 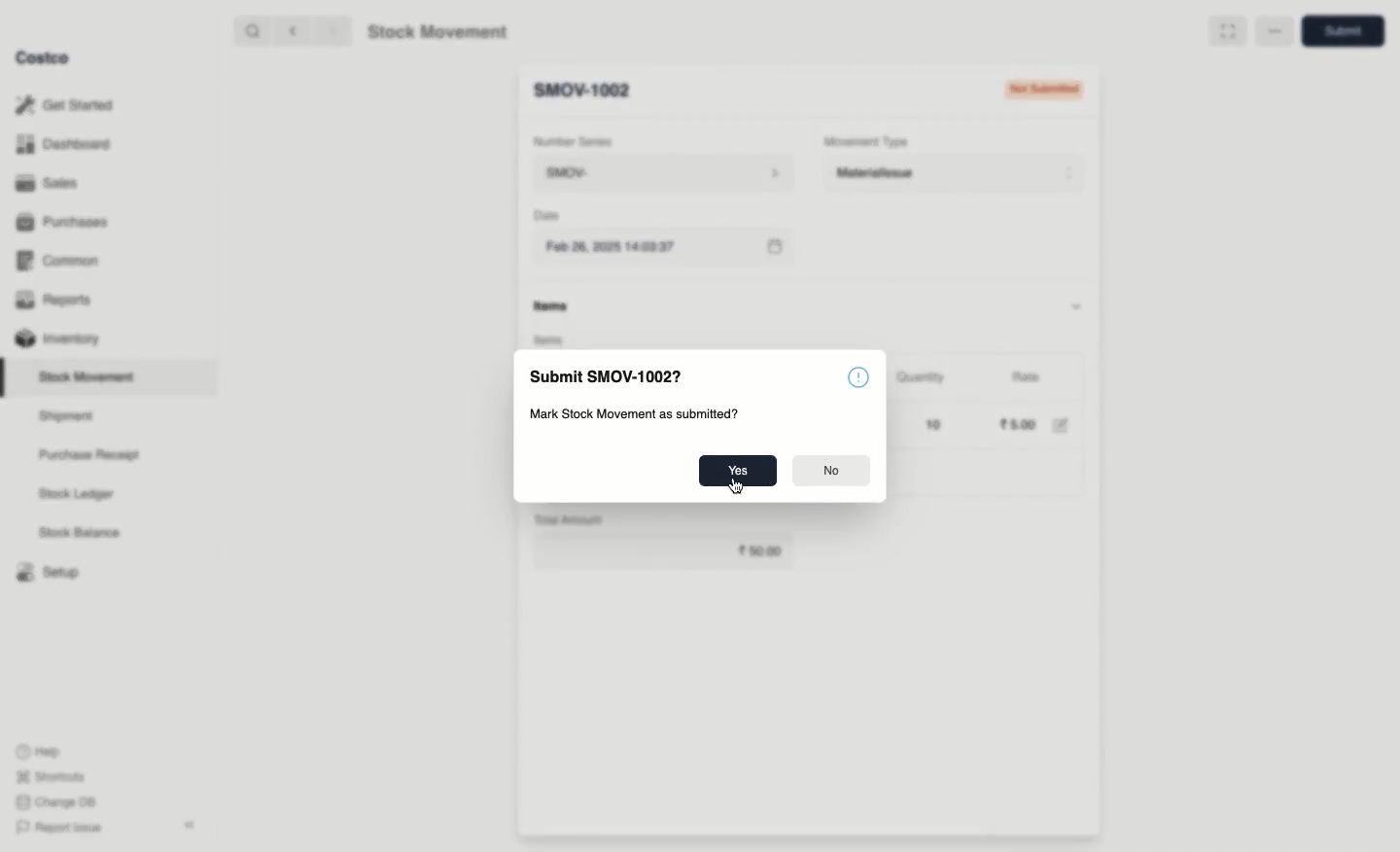 What do you see at coordinates (82, 533) in the screenshot?
I see `Stock Balance` at bounding box center [82, 533].